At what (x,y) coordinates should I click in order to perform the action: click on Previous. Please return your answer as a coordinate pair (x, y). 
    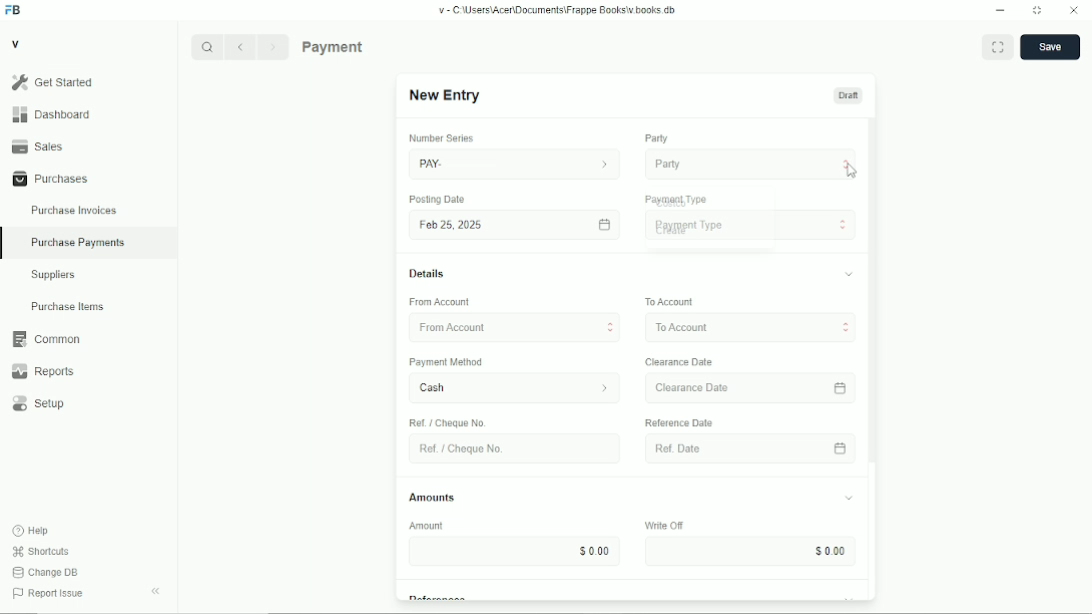
    Looking at the image, I should click on (240, 47).